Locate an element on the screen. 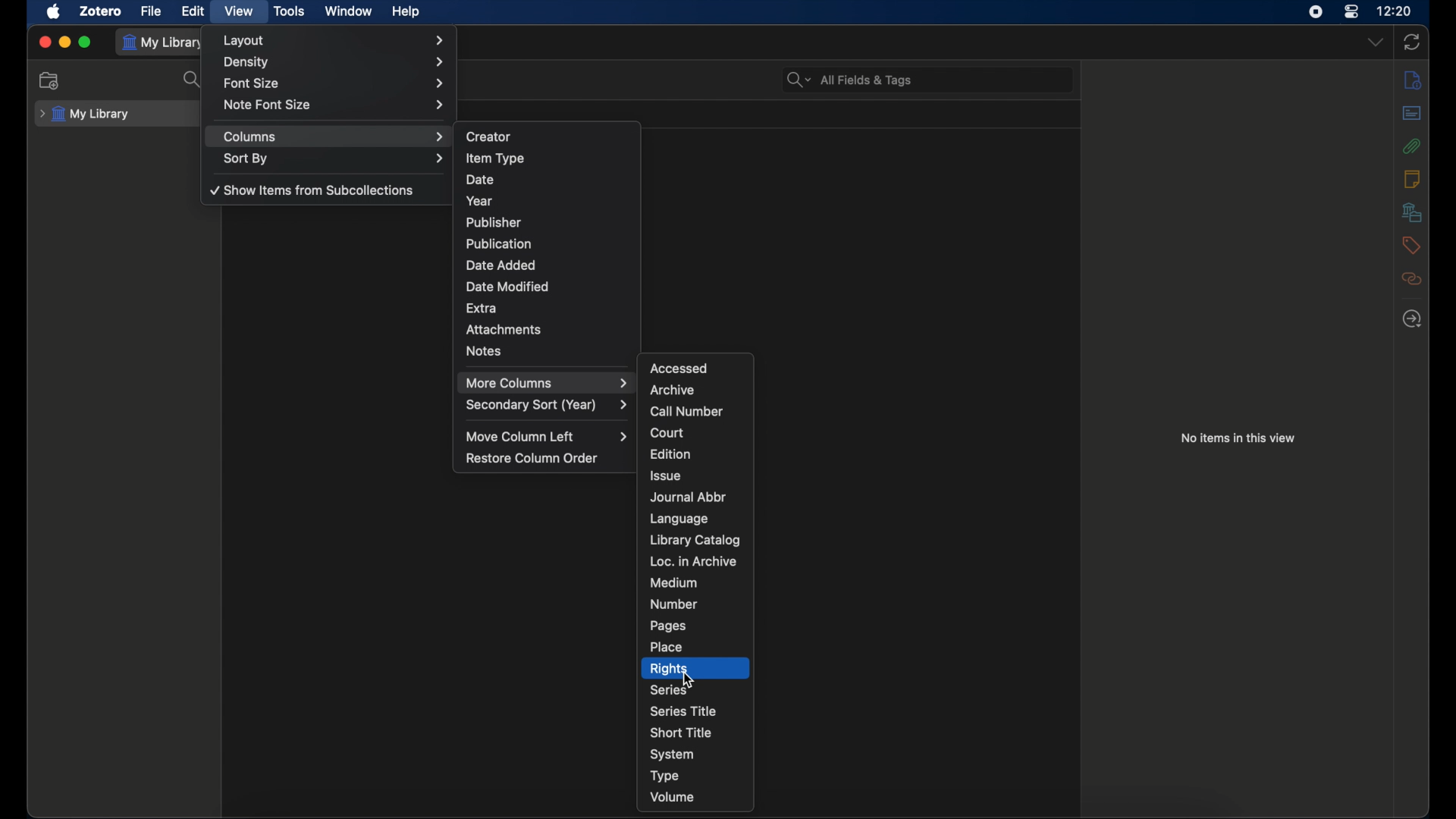 The image size is (1456, 819). view is located at coordinates (240, 11).